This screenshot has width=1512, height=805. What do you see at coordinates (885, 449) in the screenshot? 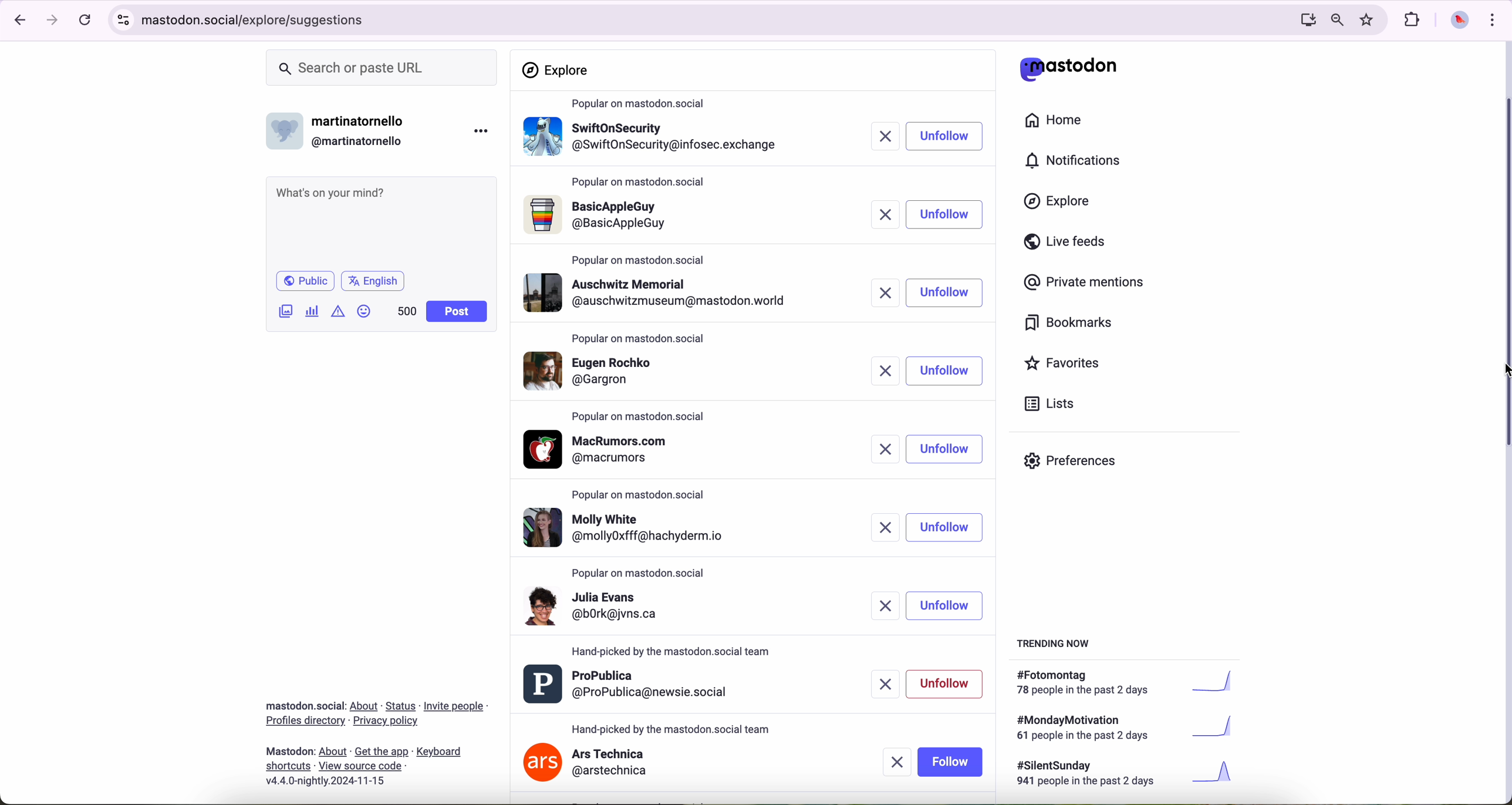
I see `remove` at bounding box center [885, 449].